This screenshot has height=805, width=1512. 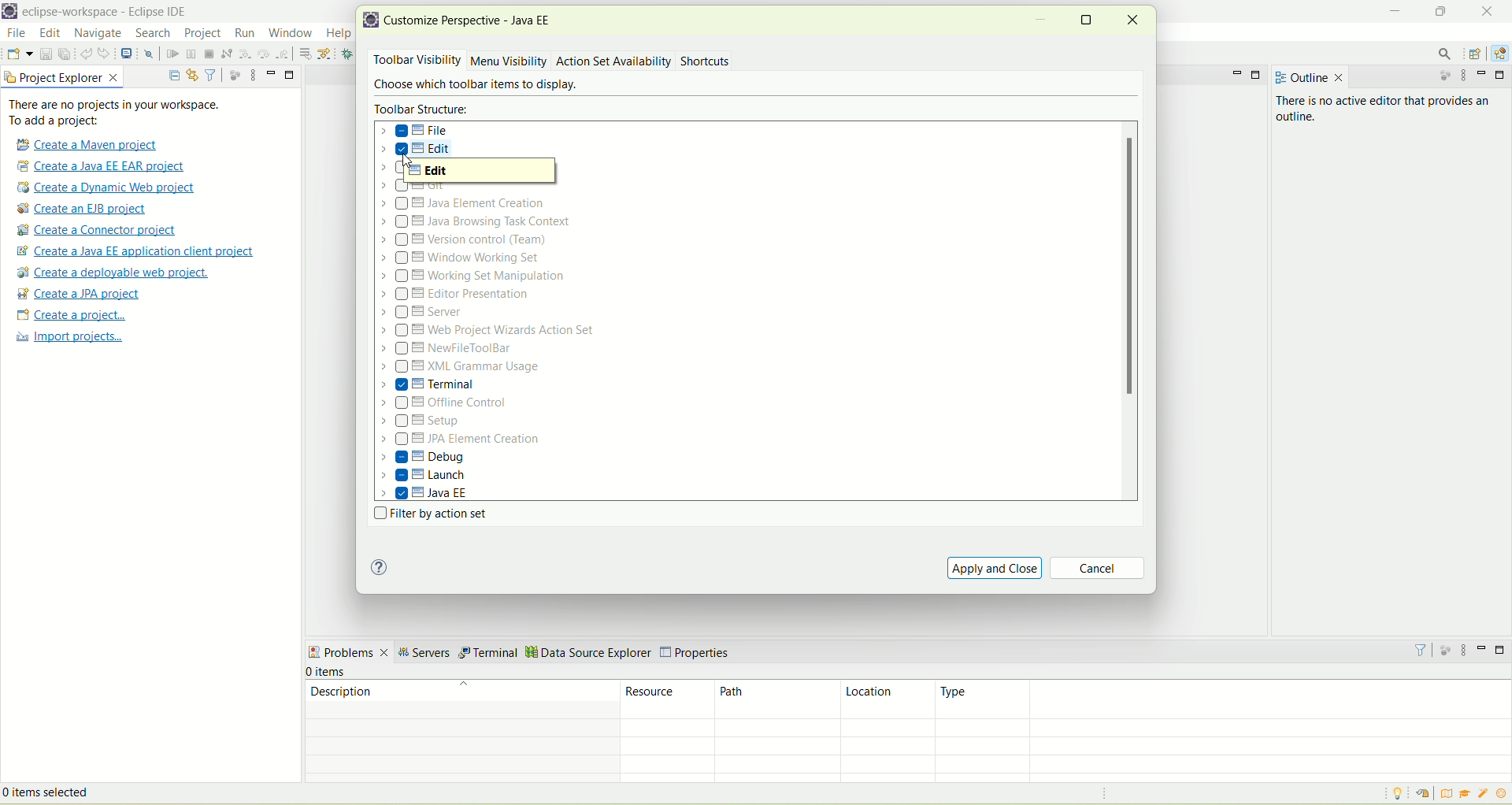 I want to click on edit, so click(x=420, y=151).